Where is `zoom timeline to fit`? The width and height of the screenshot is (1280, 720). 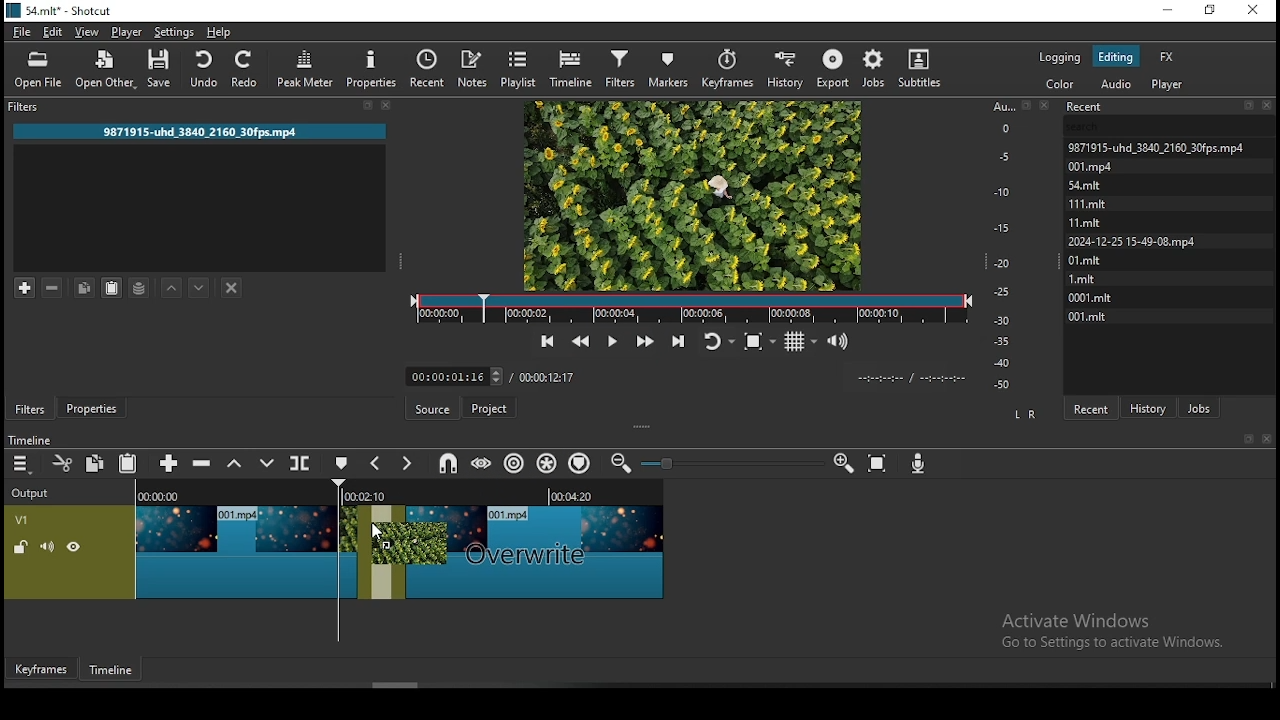 zoom timeline to fit is located at coordinates (880, 465).